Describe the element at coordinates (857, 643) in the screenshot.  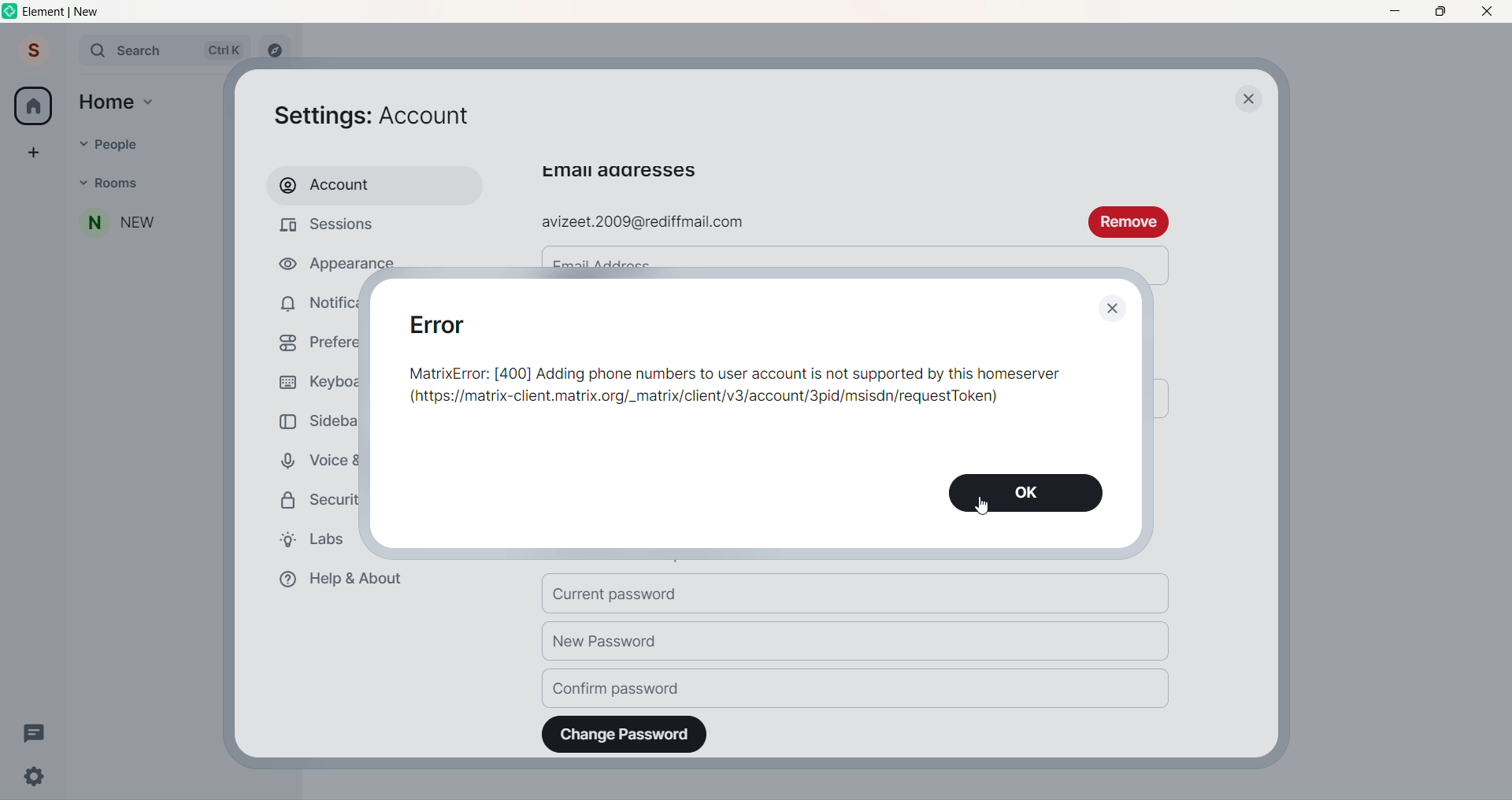
I see `New Password` at that location.